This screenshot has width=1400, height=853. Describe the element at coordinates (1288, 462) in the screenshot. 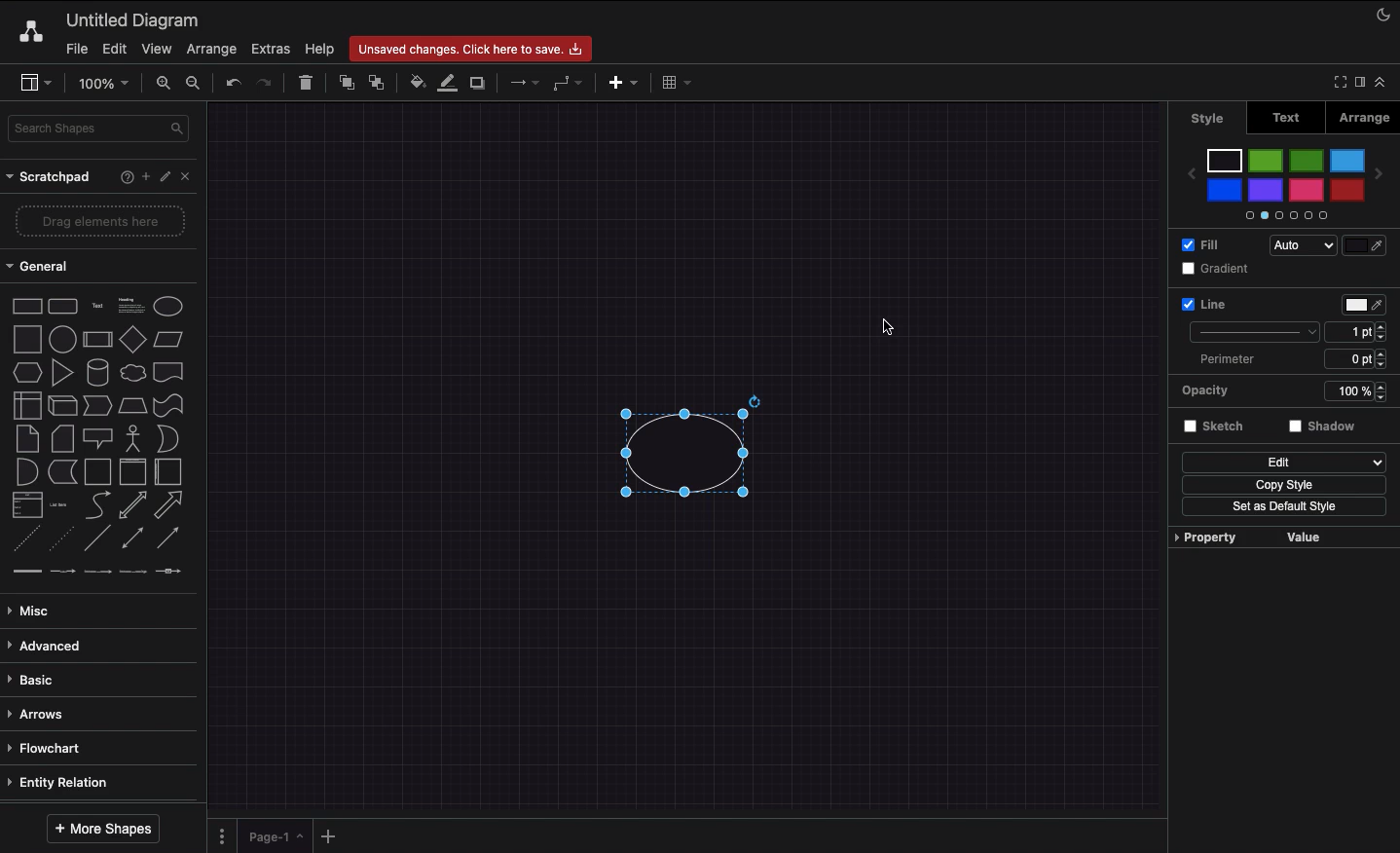

I see `Edit` at that location.